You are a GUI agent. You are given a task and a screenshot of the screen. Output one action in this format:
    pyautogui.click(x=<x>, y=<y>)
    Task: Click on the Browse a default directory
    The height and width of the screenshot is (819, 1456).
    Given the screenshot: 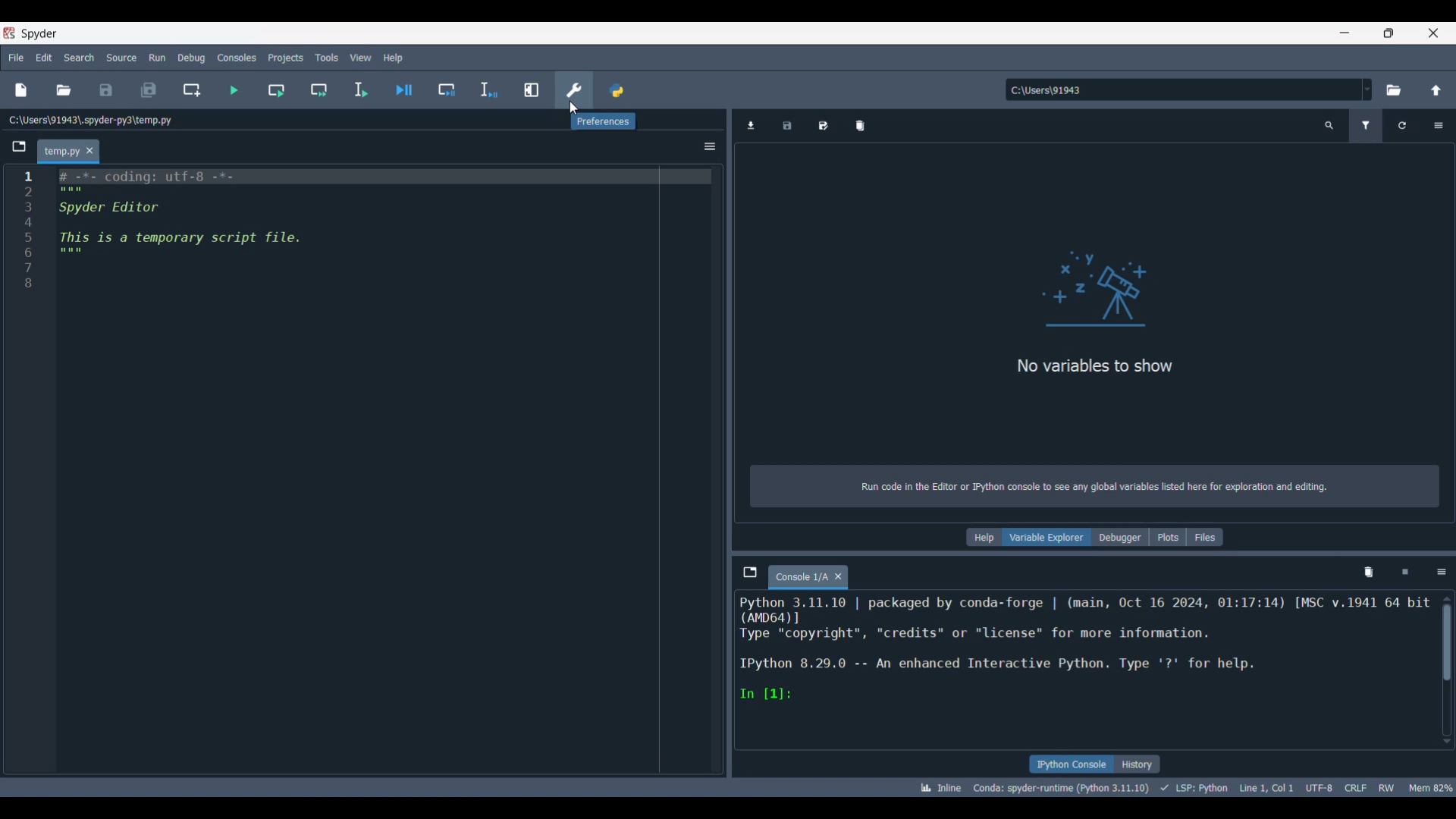 What is the action you would take?
    pyautogui.click(x=1394, y=90)
    